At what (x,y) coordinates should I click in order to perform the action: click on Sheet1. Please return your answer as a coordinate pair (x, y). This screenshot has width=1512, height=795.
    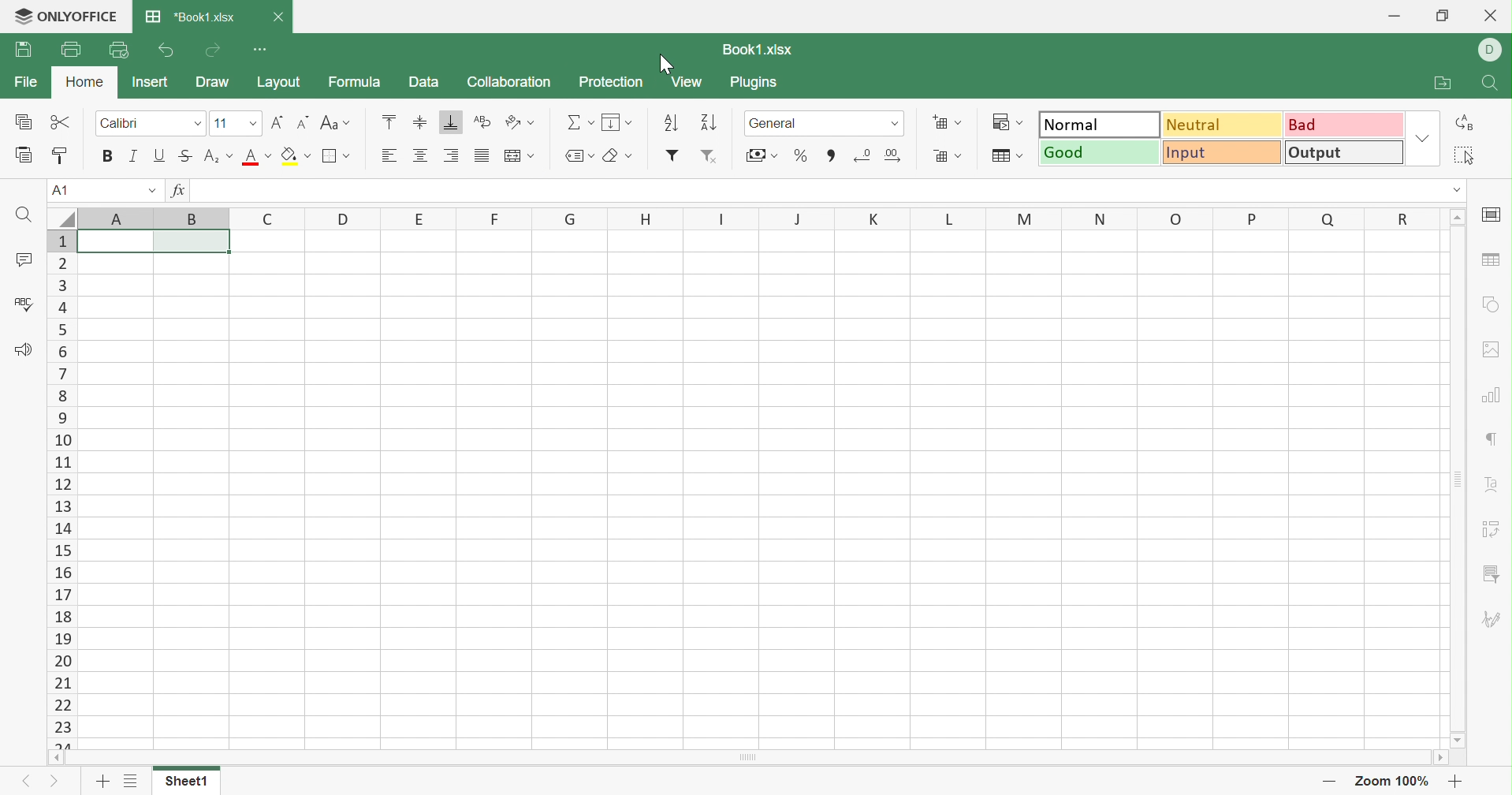
    Looking at the image, I should click on (188, 784).